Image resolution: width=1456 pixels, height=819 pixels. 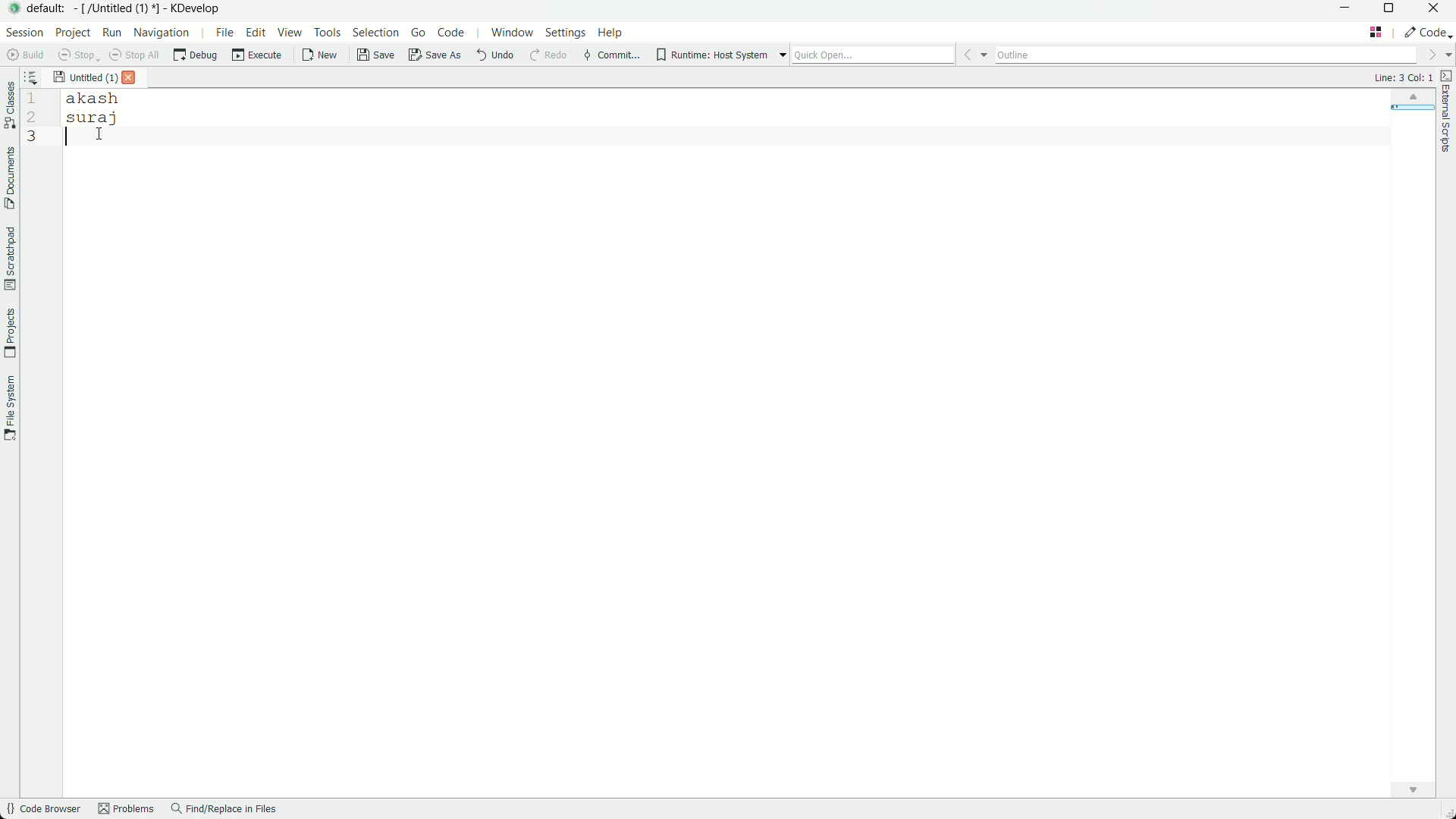 What do you see at coordinates (320, 55) in the screenshot?
I see `New` at bounding box center [320, 55].